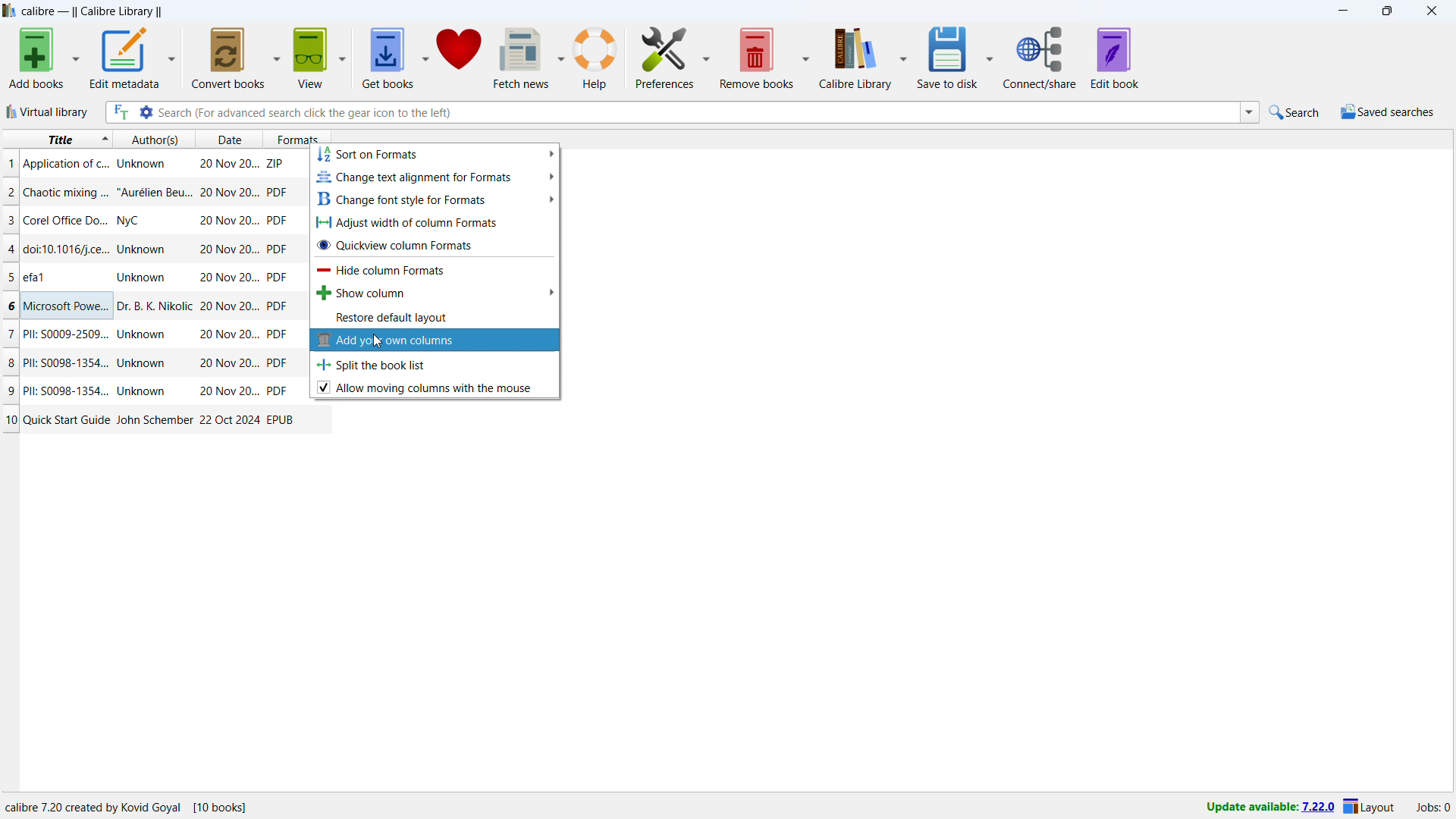 The width and height of the screenshot is (1456, 819). I want to click on title, so click(92, 11).